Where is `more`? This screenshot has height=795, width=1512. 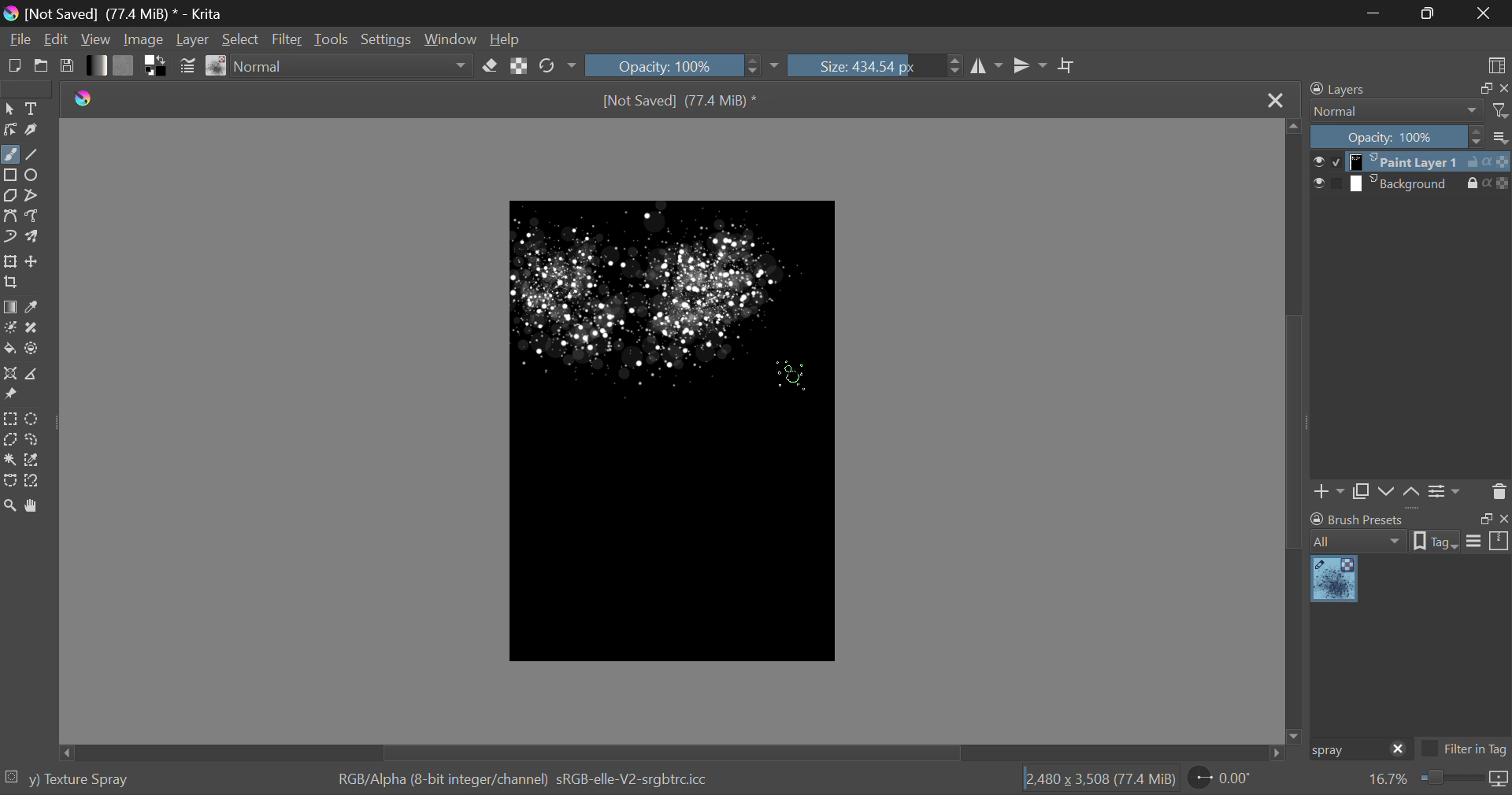
more is located at coordinates (1501, 136).